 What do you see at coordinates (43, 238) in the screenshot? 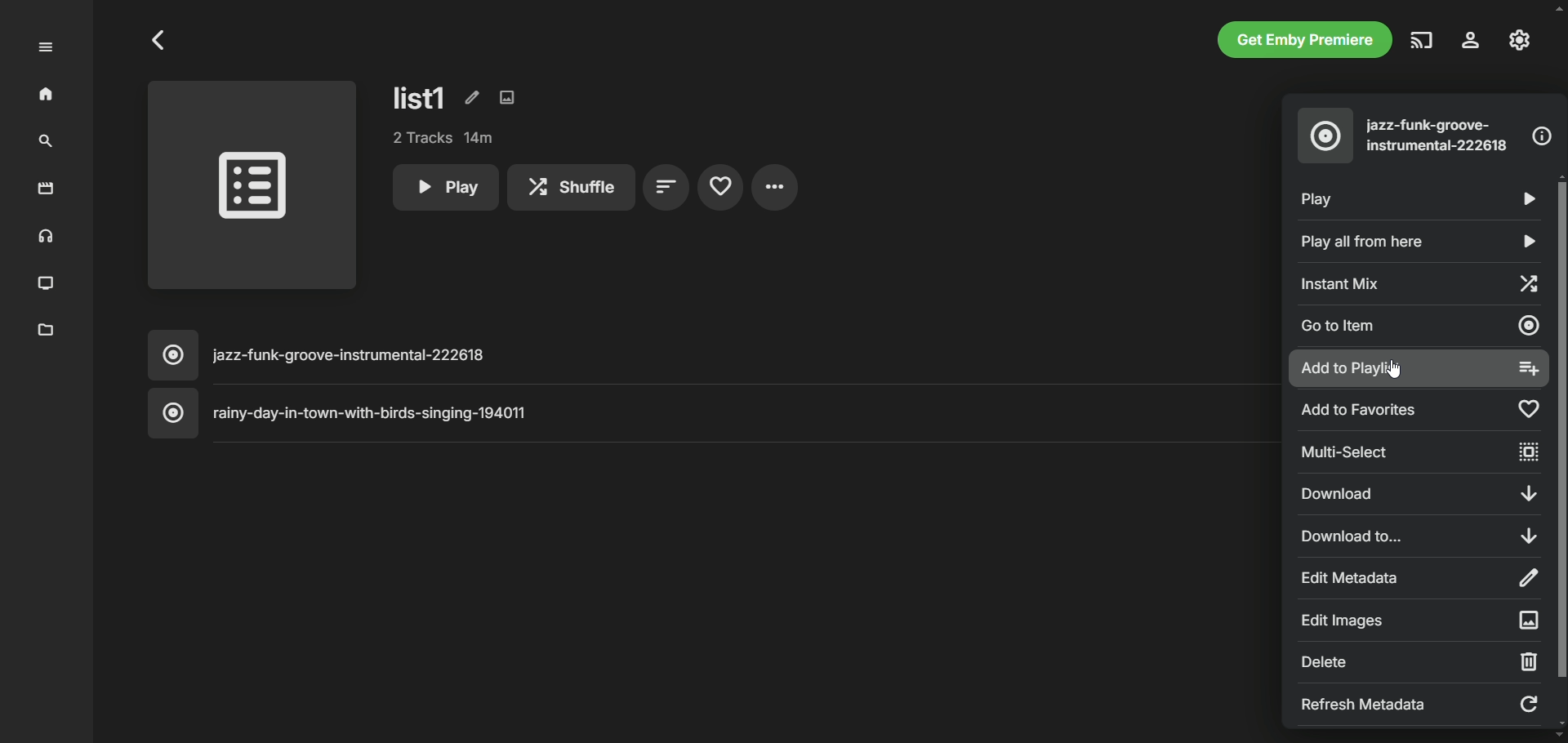
I see `music` at bounding box center [43, 238].